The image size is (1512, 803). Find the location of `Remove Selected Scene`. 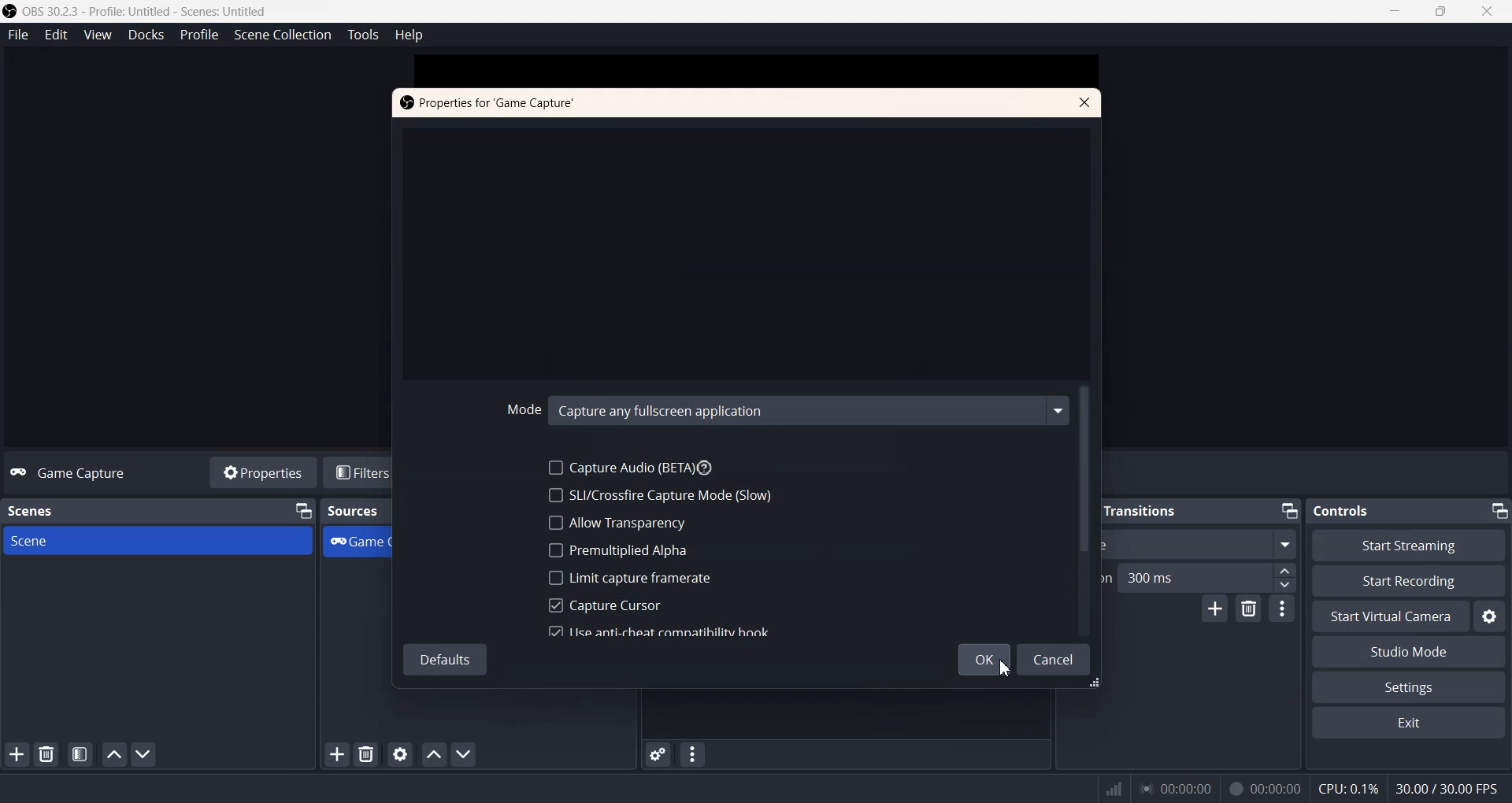

Remove Selected Scene is located at coordinates (46, 754).